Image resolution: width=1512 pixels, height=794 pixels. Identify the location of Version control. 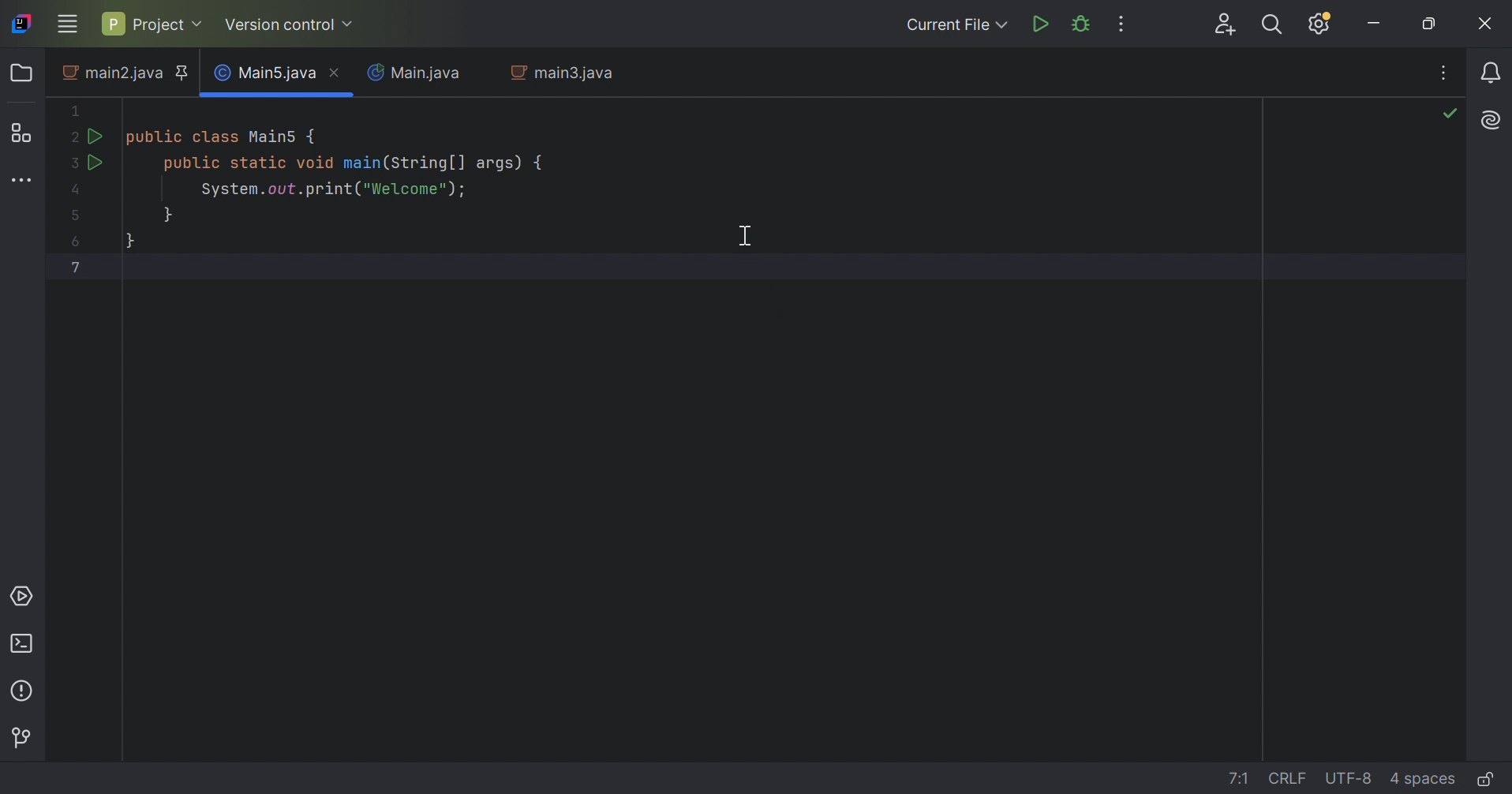
(19, 737).